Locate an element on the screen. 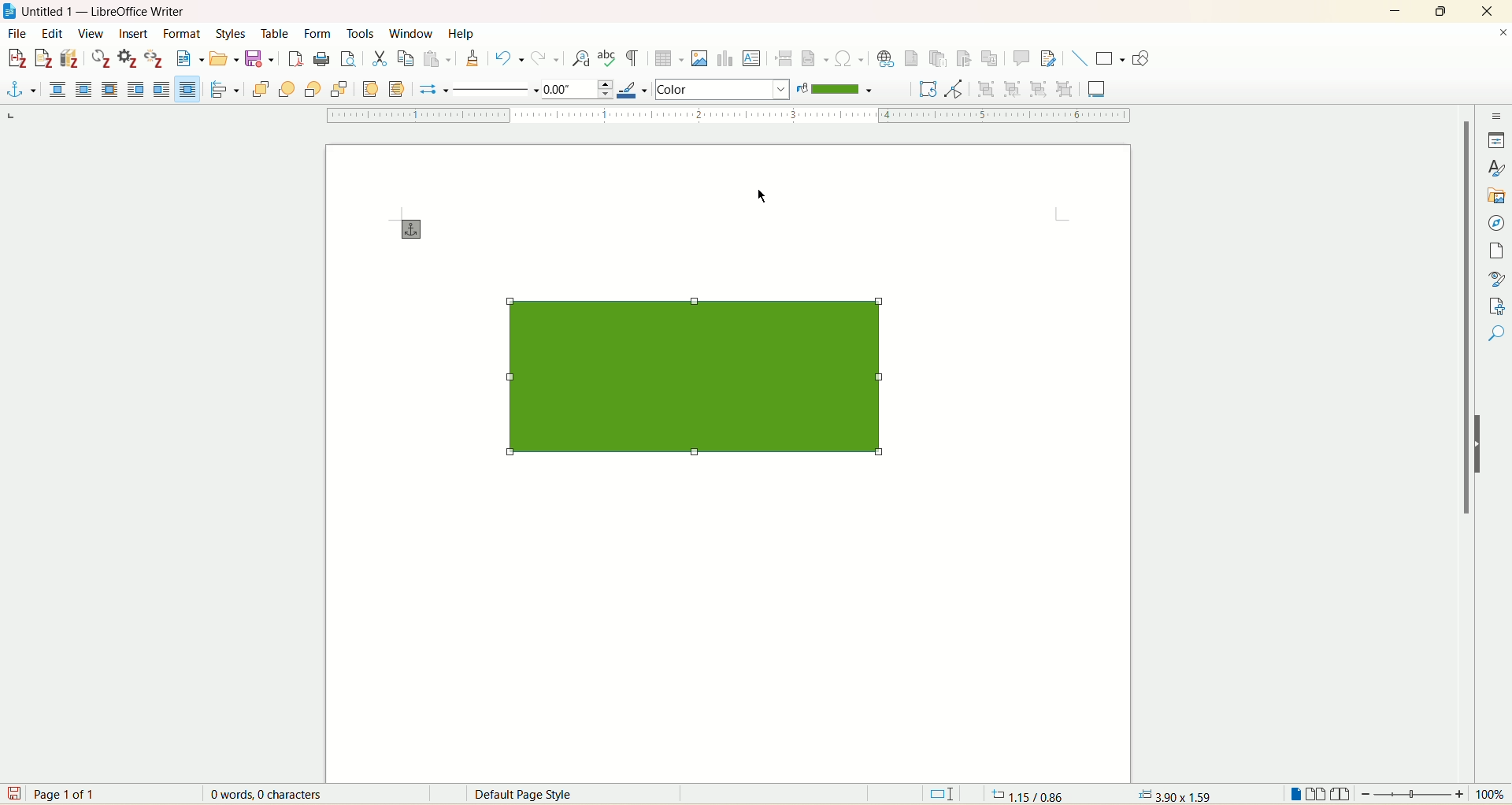  window is located at coordinates (412, 32).